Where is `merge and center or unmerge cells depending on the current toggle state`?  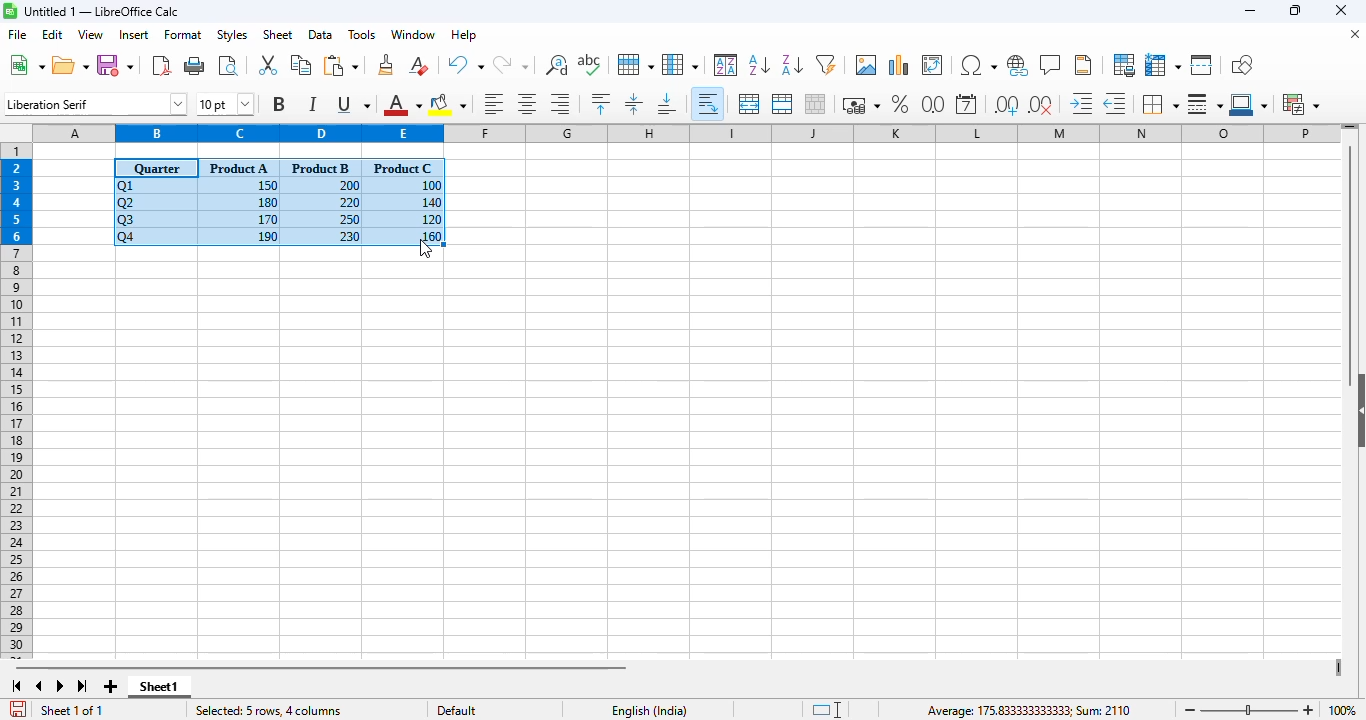
merge and center or unmerge cells depending on the current toggle state is located at coordinates (750, 104).